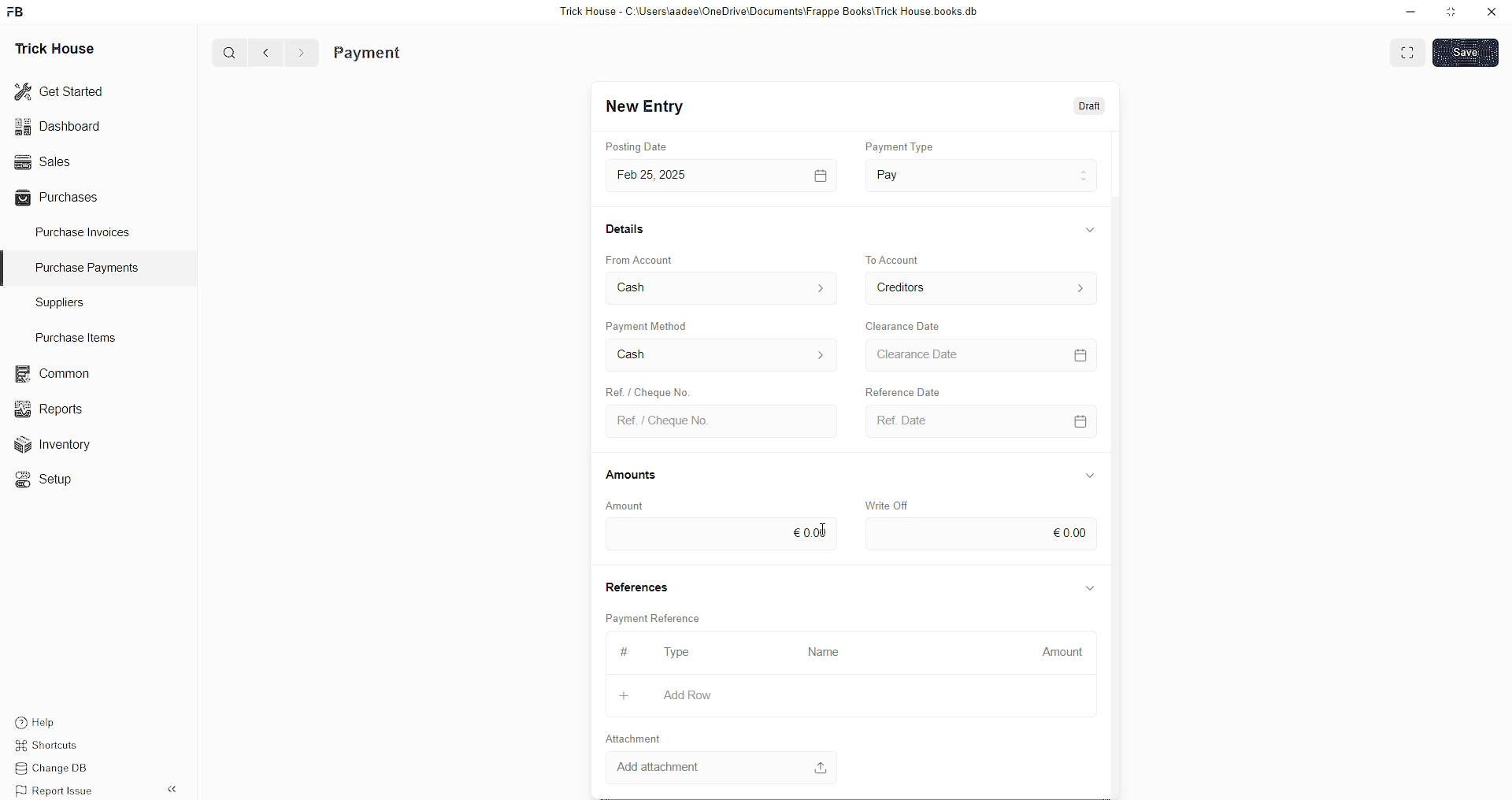 The height and width of the screenshot is (800, 1512). I want to click on eool, so click(787, 531).